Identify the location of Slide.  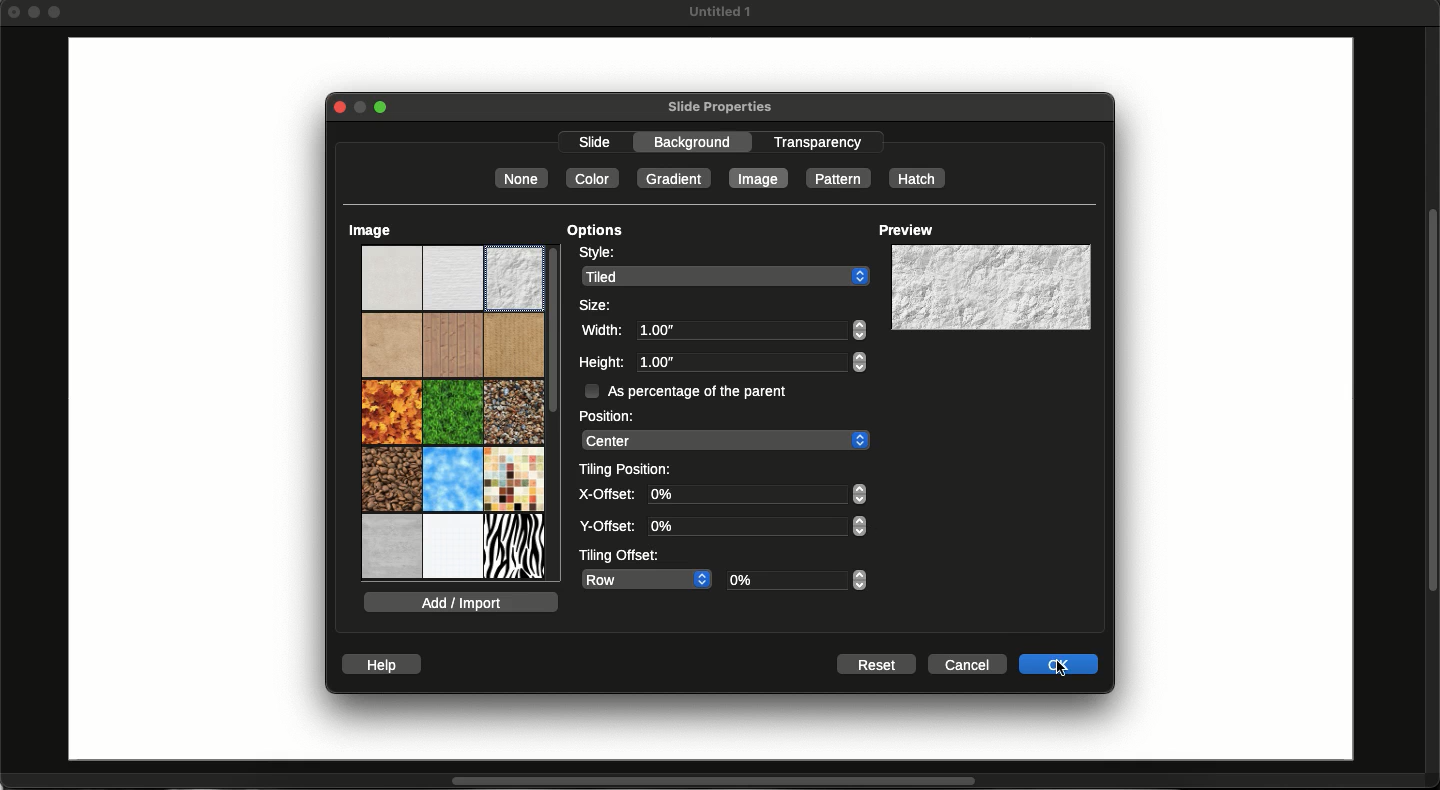
(188, 401).